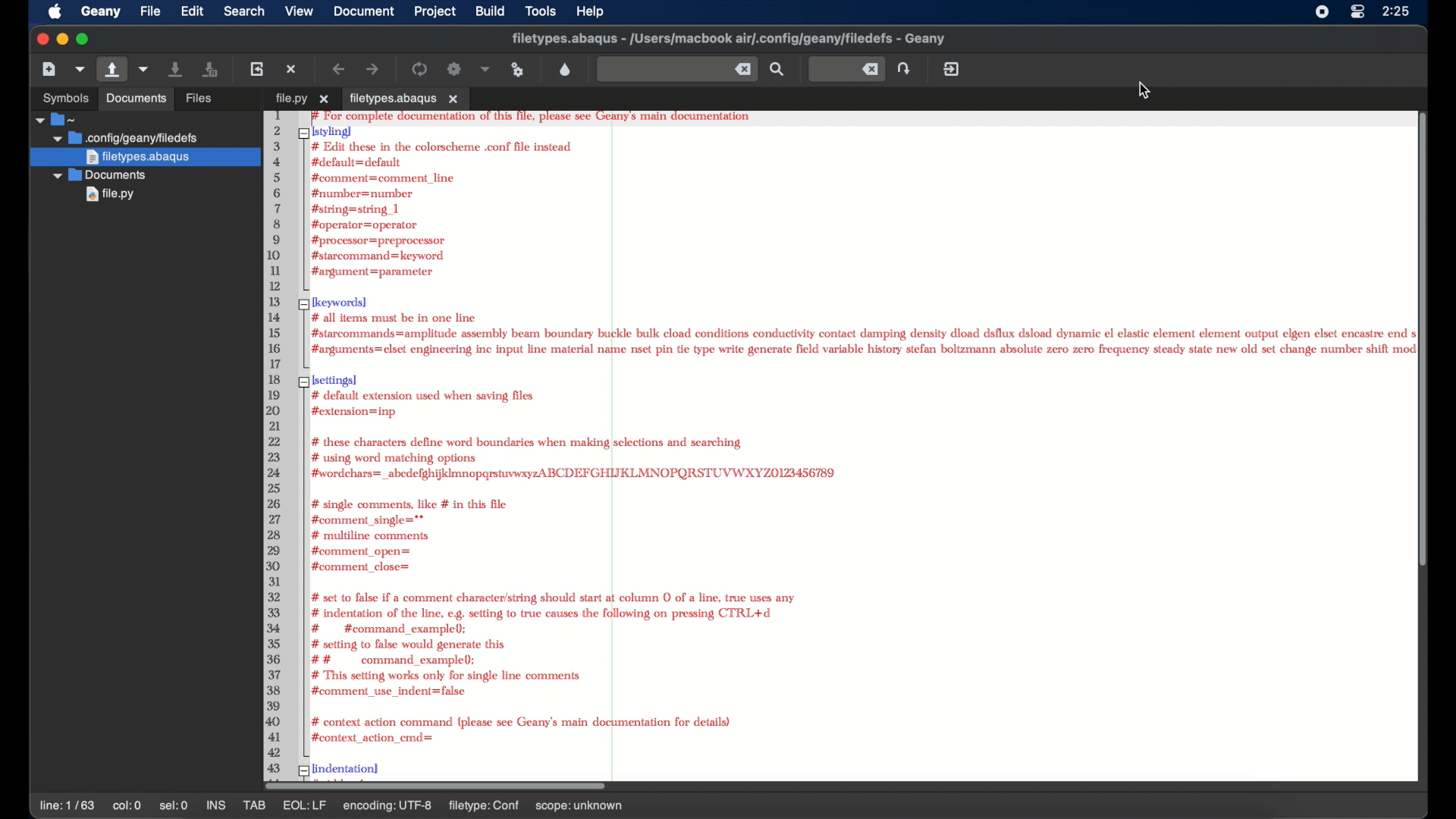 The width and height of the screenshot is (1456, 819). I want to click on sel:0, so click(174, 805).